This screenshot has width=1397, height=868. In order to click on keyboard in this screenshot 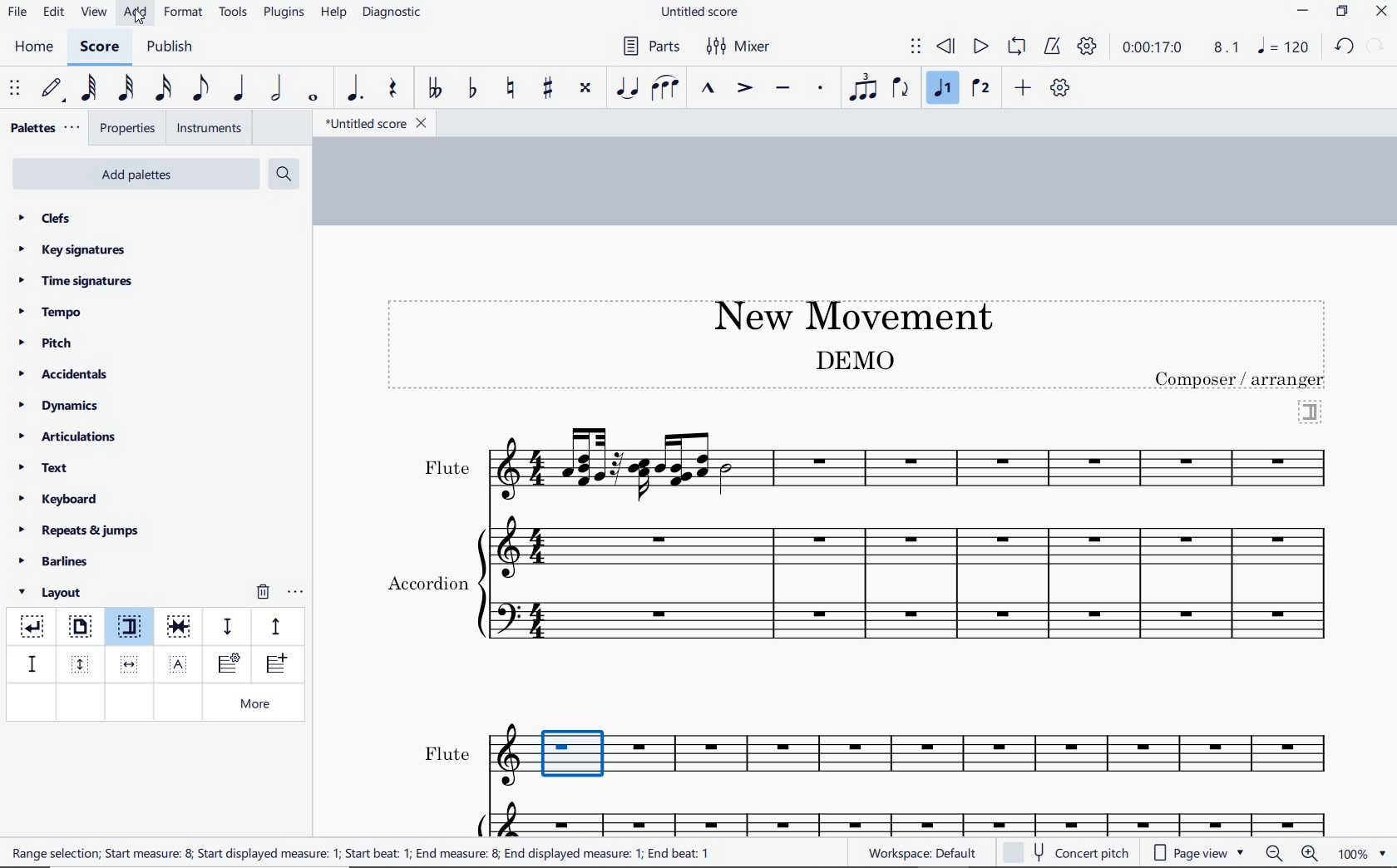, I will do `click(59, 499)`.